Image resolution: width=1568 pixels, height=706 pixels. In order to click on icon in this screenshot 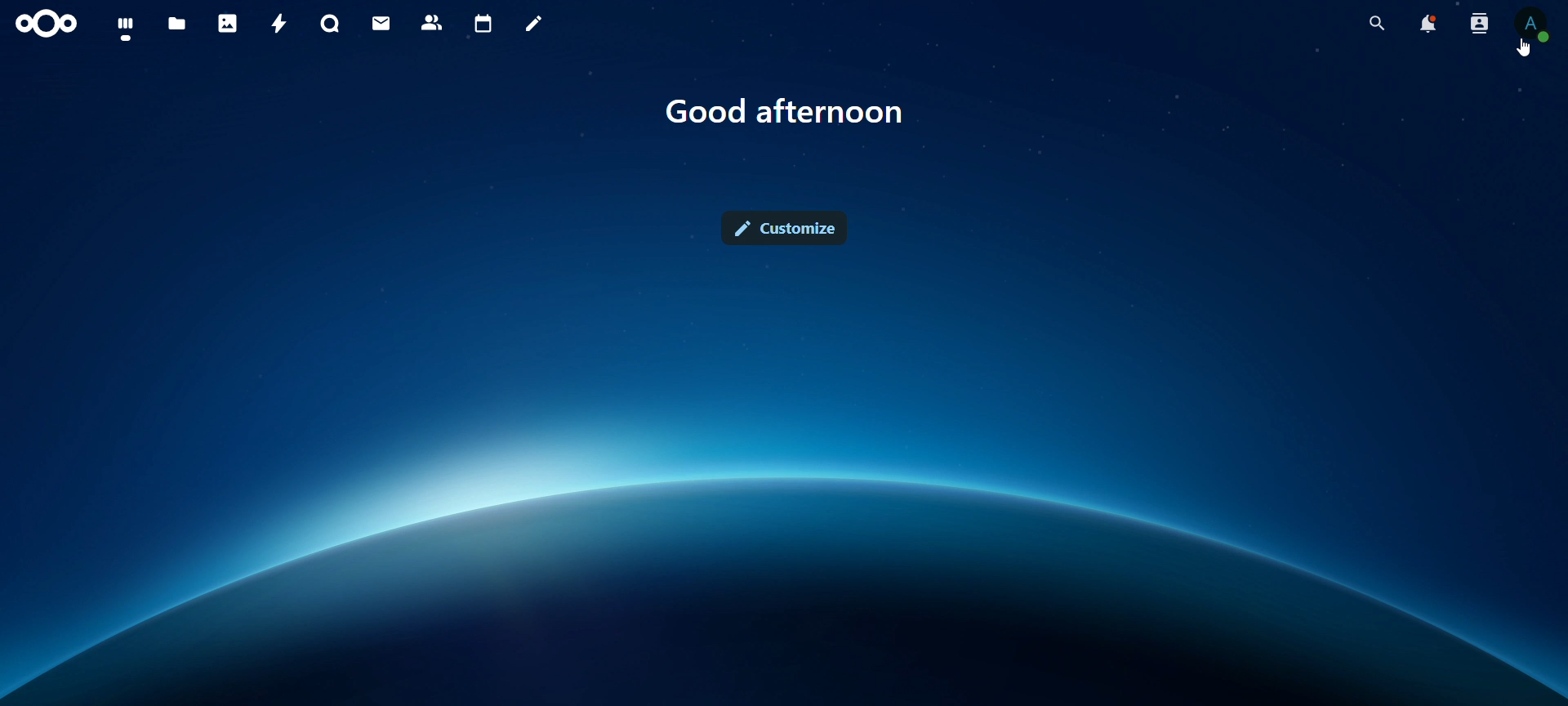, I will do `click(51, 24)`.